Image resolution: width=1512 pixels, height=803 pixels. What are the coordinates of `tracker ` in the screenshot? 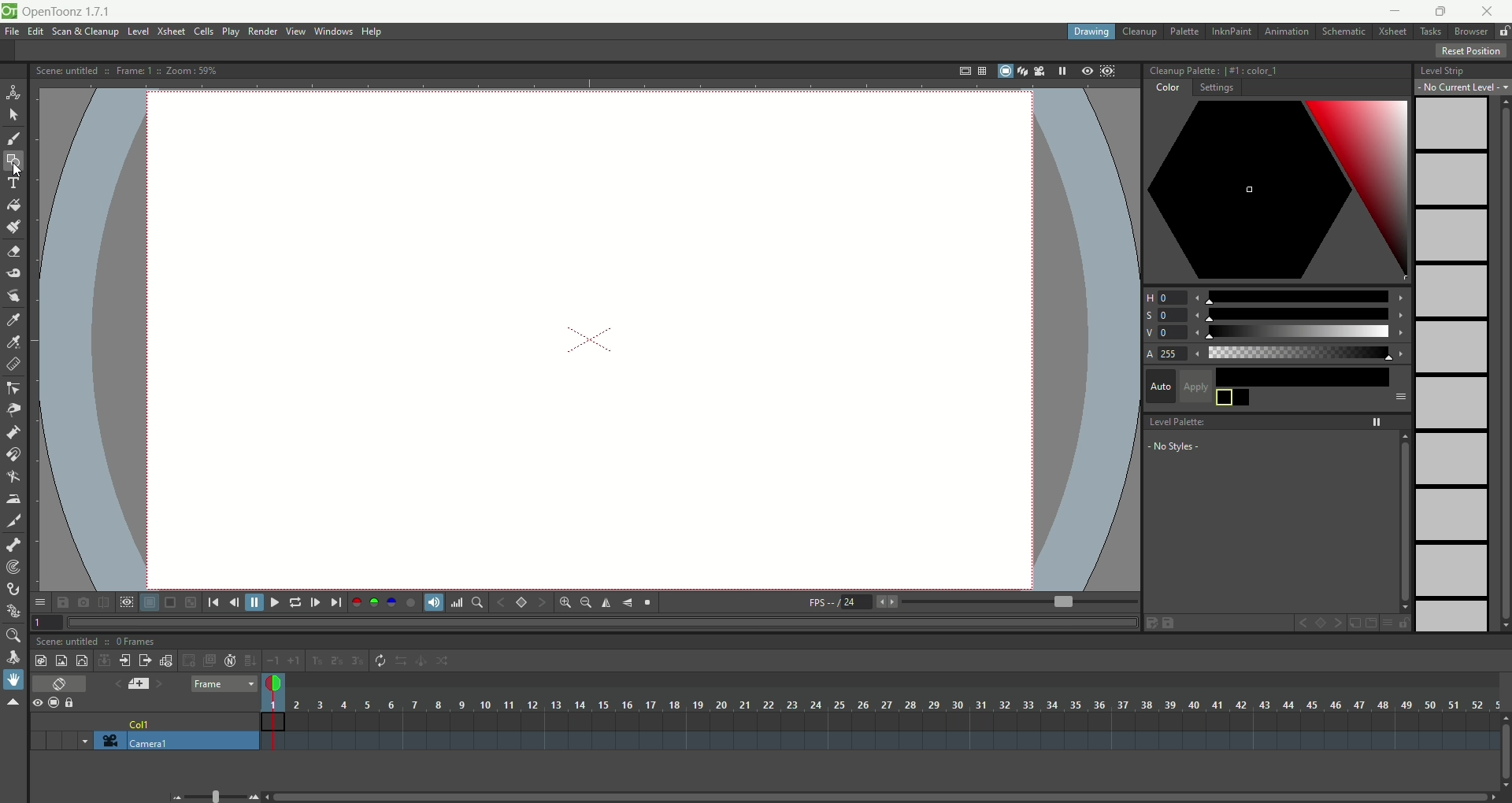 It's located at (13, 568).